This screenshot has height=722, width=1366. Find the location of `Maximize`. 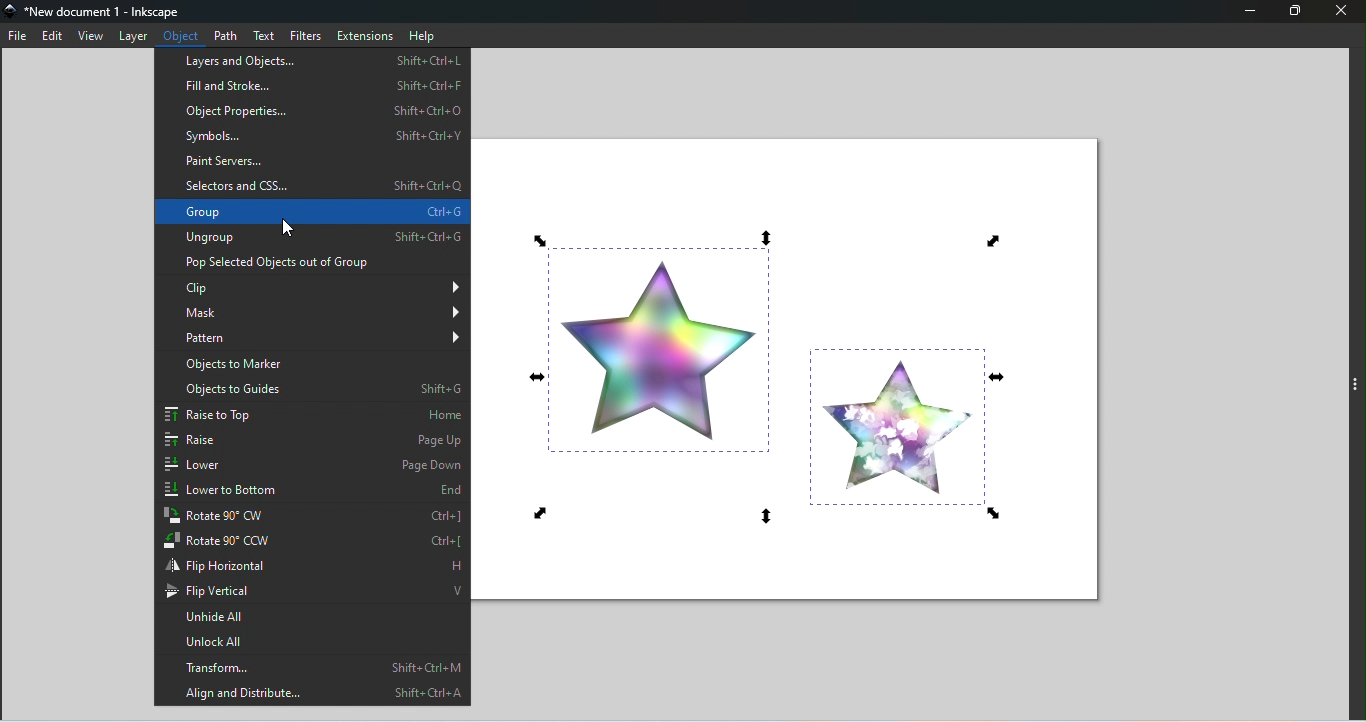

Maximize is located at coordinates (1300, 13).